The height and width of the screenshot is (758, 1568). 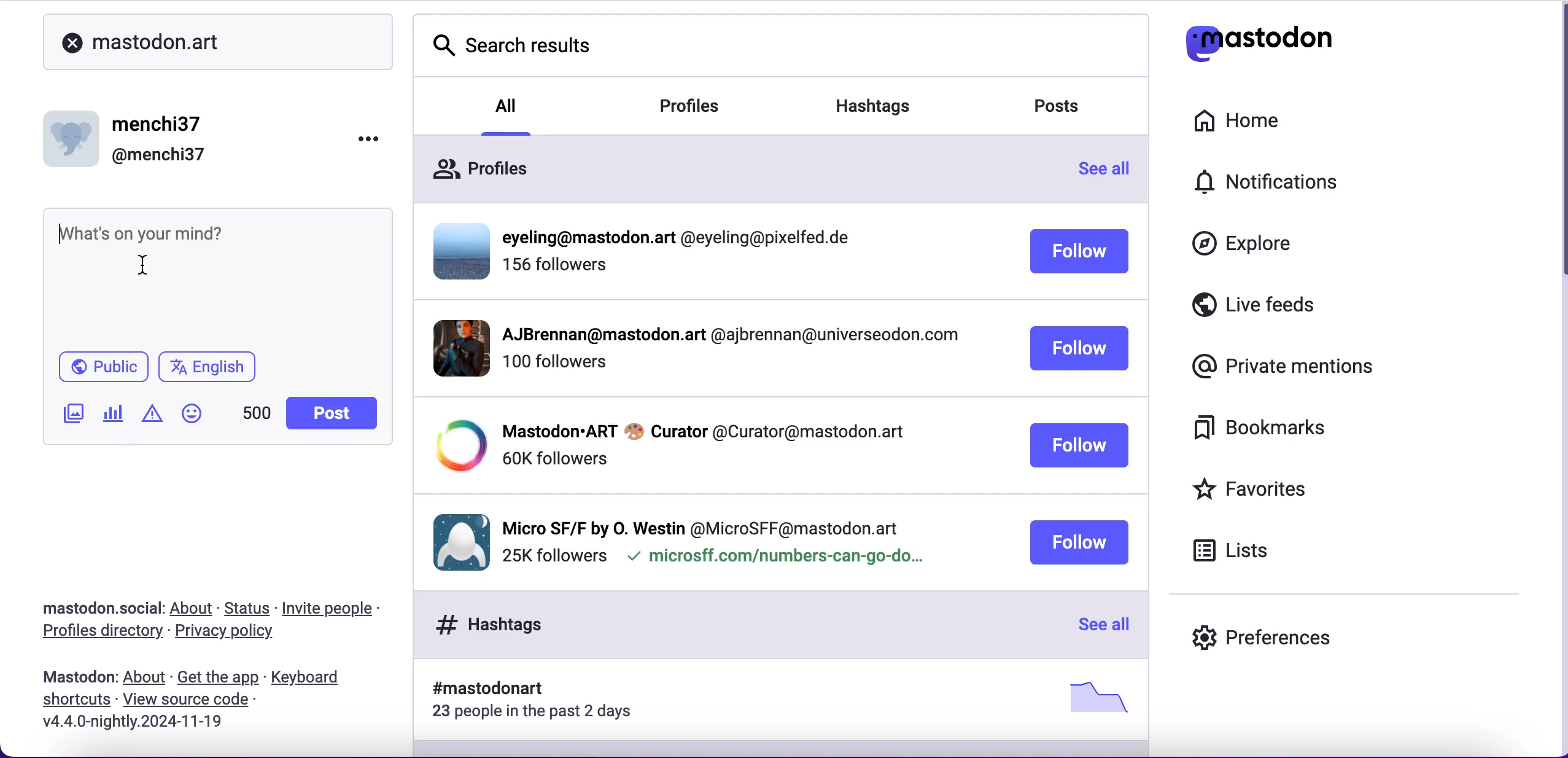 I want to click on add warnings, so click(x=152, y=418).